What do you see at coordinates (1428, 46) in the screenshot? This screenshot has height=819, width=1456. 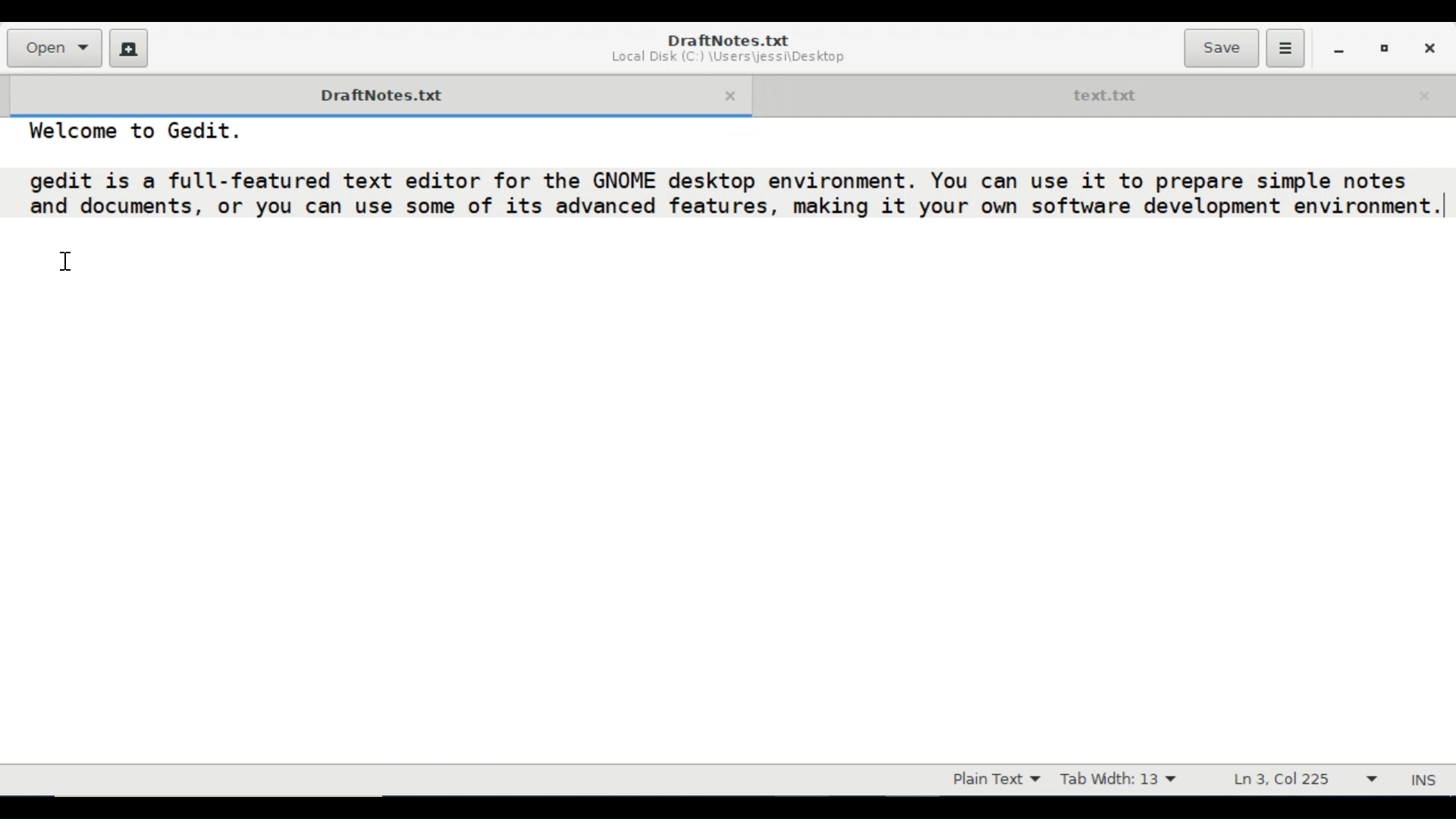 I see `Close` at bounding box center [1428, 46].